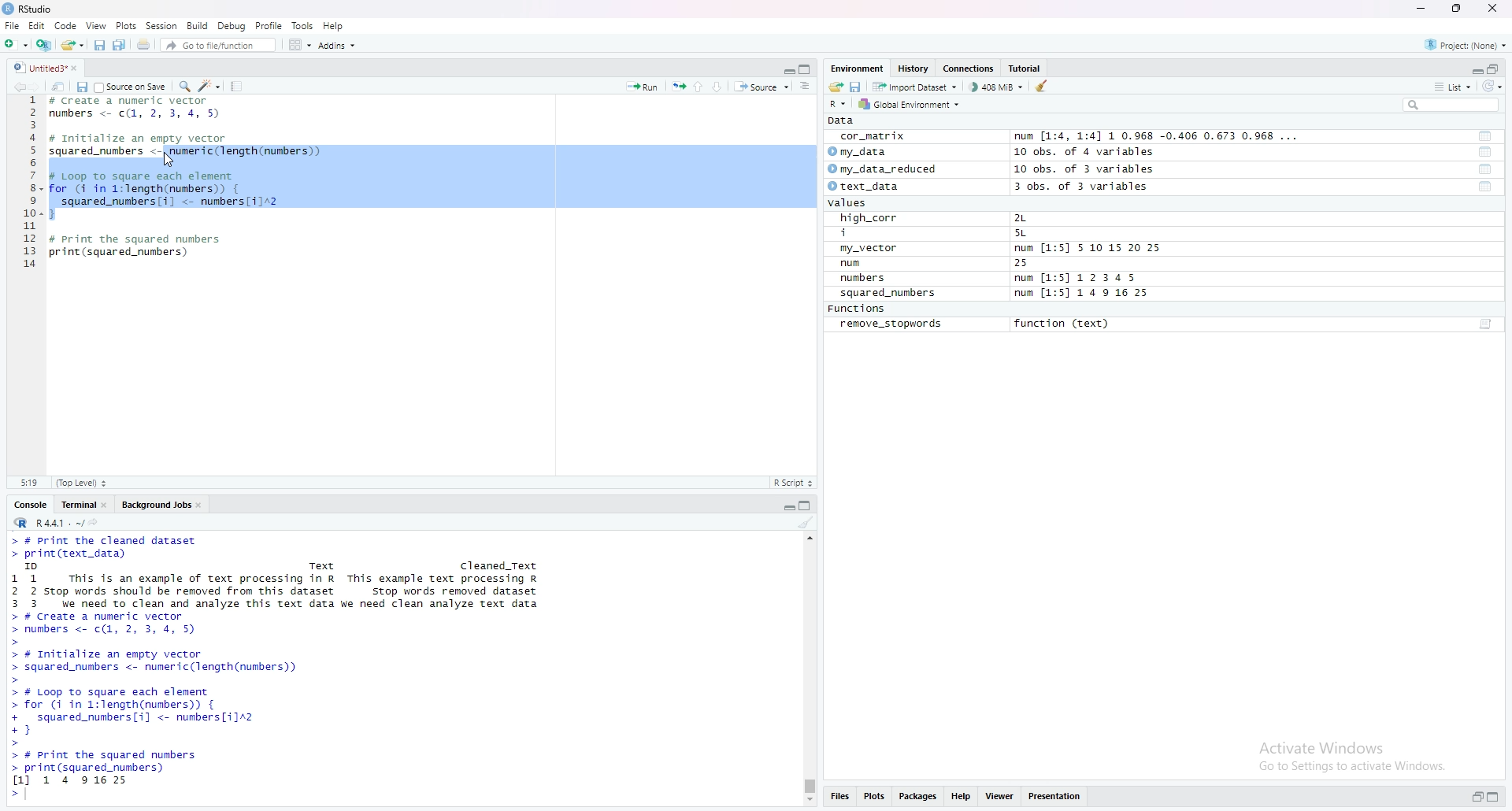  I want to click on Document outline, so click(806, 86).